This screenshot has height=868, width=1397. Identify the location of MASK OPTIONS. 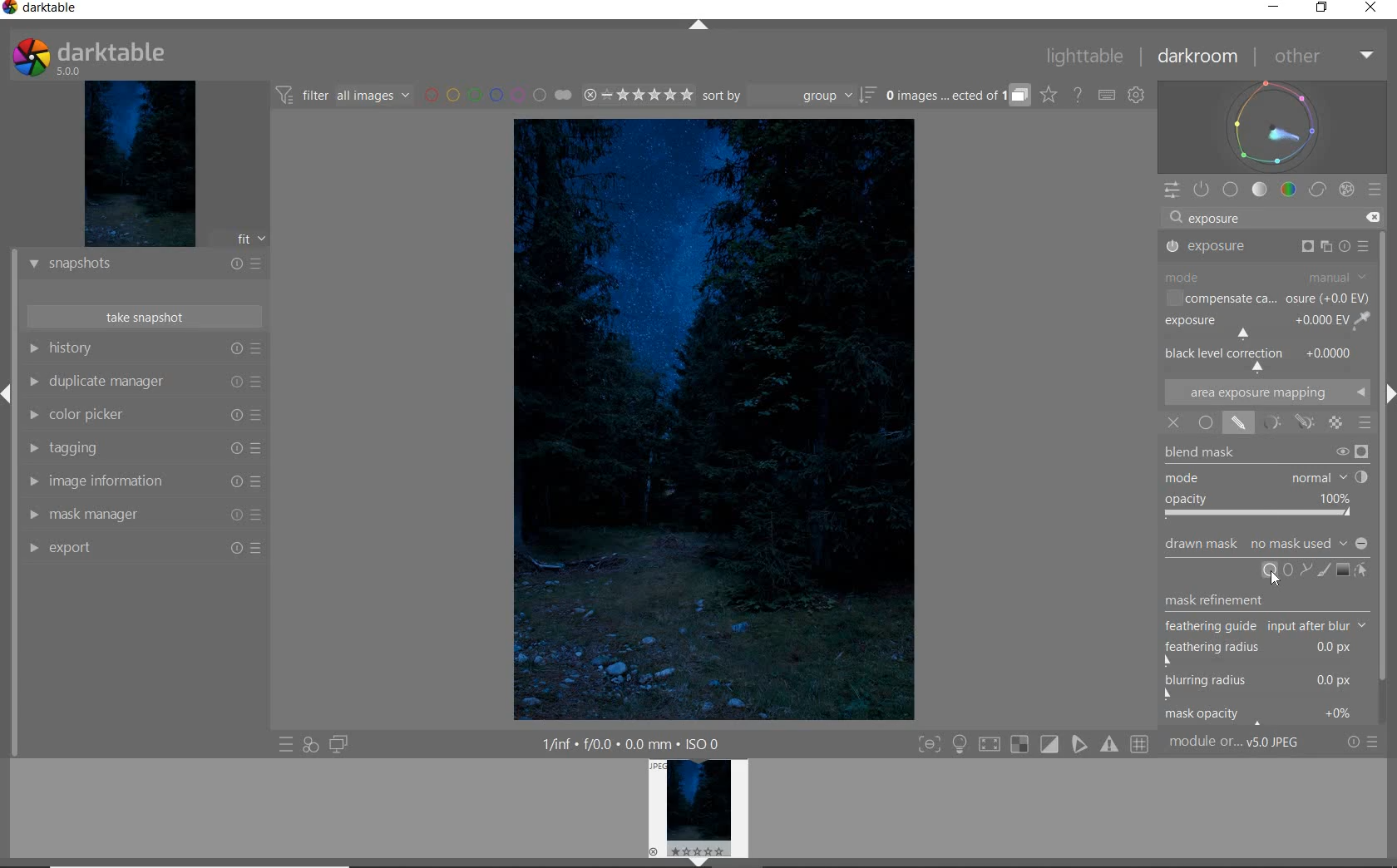
(1286, 422).